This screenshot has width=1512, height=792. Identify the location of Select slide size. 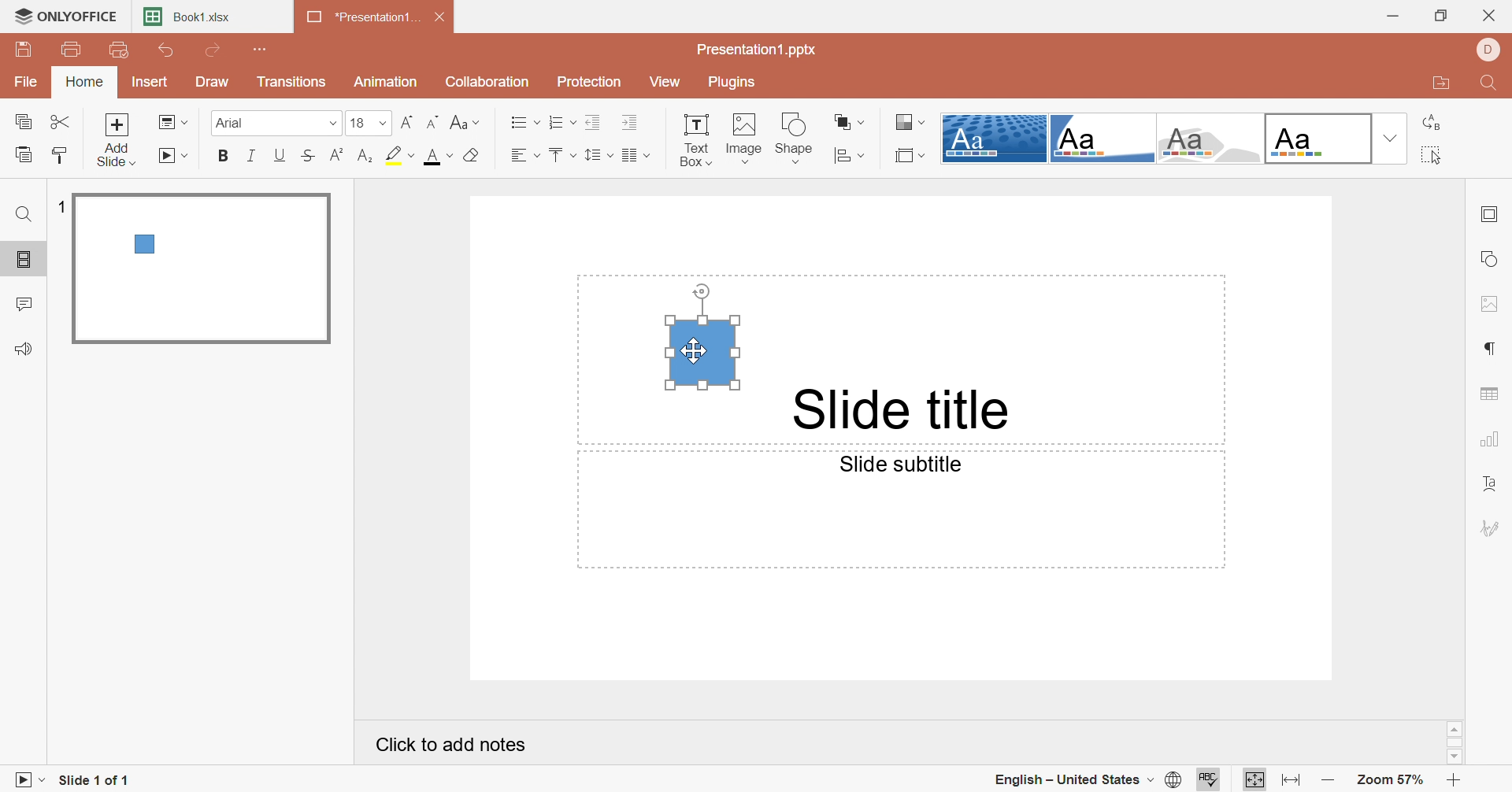
(908, 157).